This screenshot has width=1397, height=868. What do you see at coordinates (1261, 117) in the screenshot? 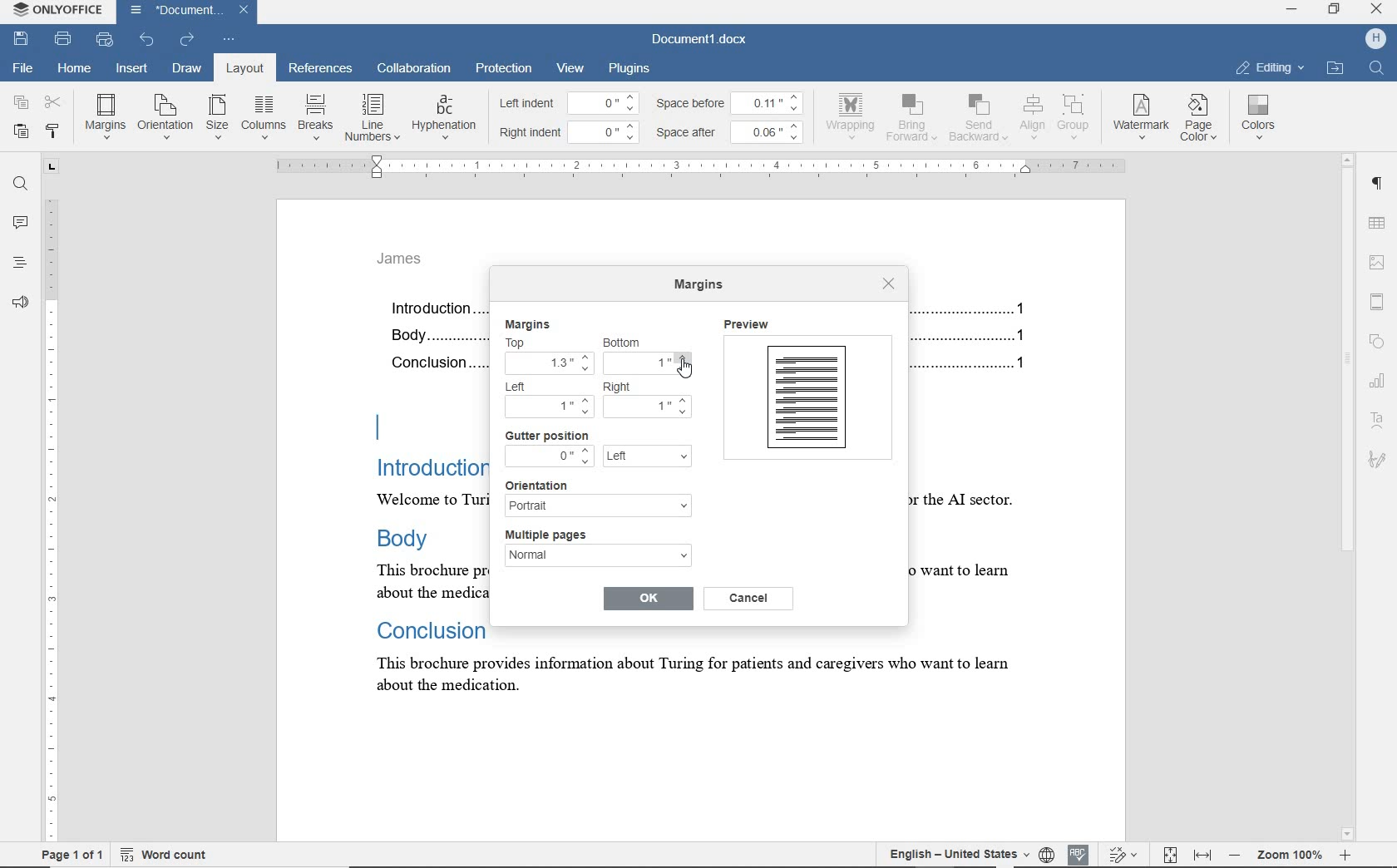
I see `colors` at bounding box center [1261, 117].